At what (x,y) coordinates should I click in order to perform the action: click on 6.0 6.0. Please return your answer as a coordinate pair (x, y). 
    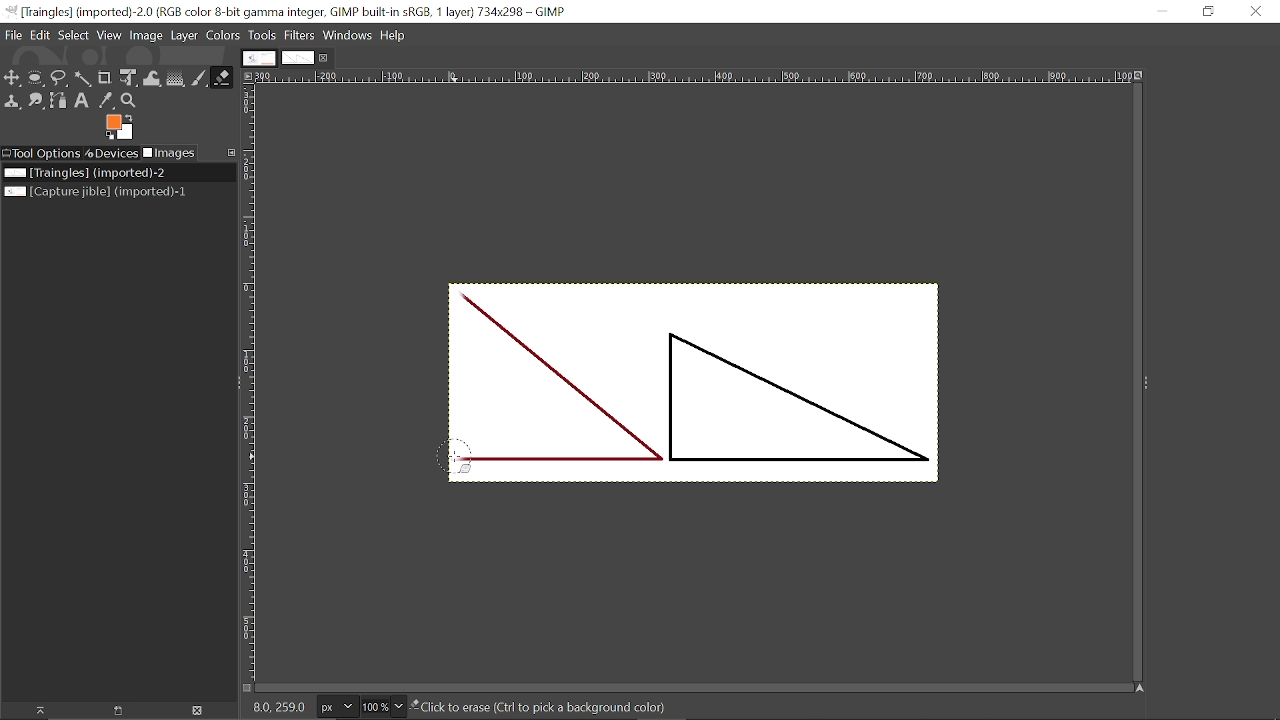
    Looking at the image, I should click on (283, 707).